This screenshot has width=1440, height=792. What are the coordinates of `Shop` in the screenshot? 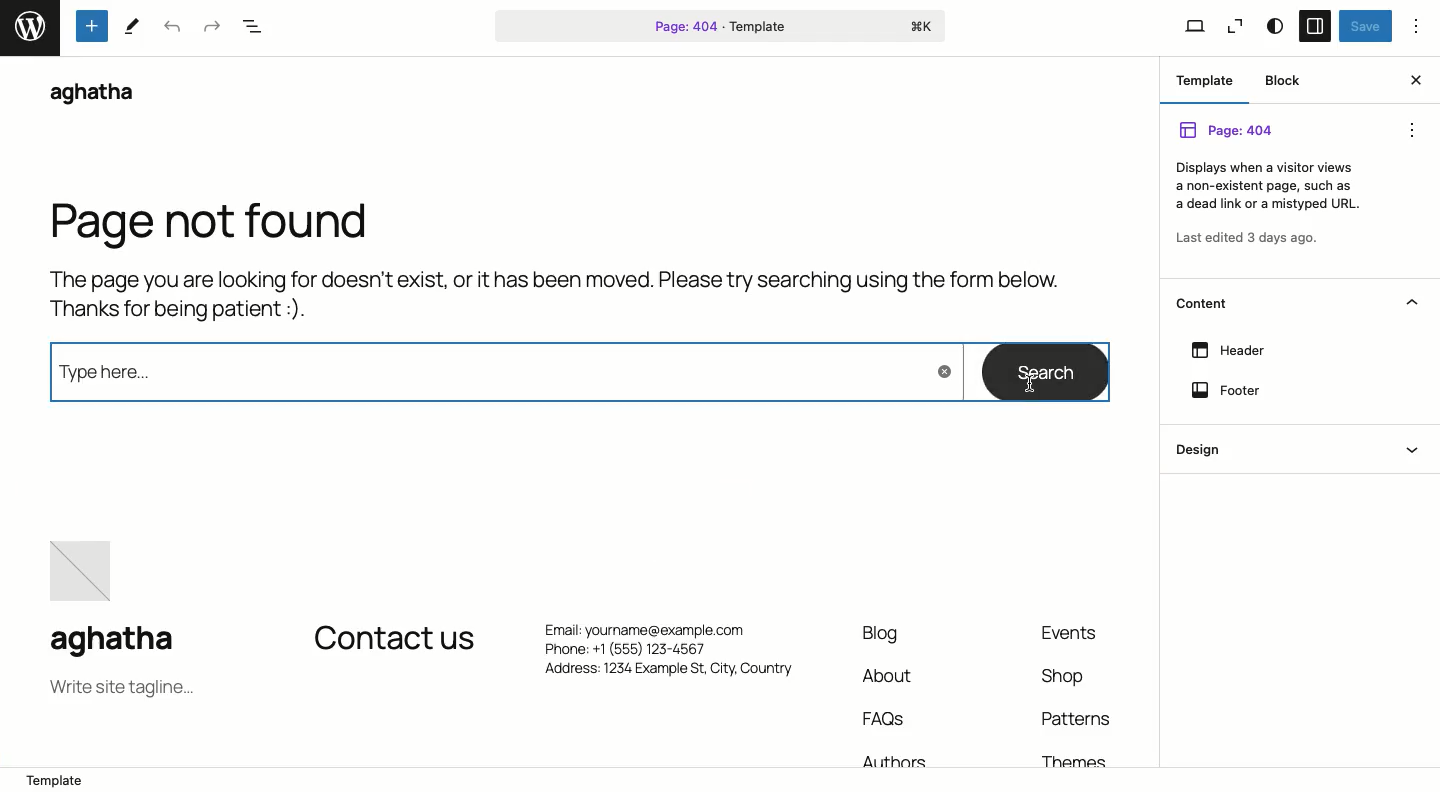 It's located at (1071, 677).